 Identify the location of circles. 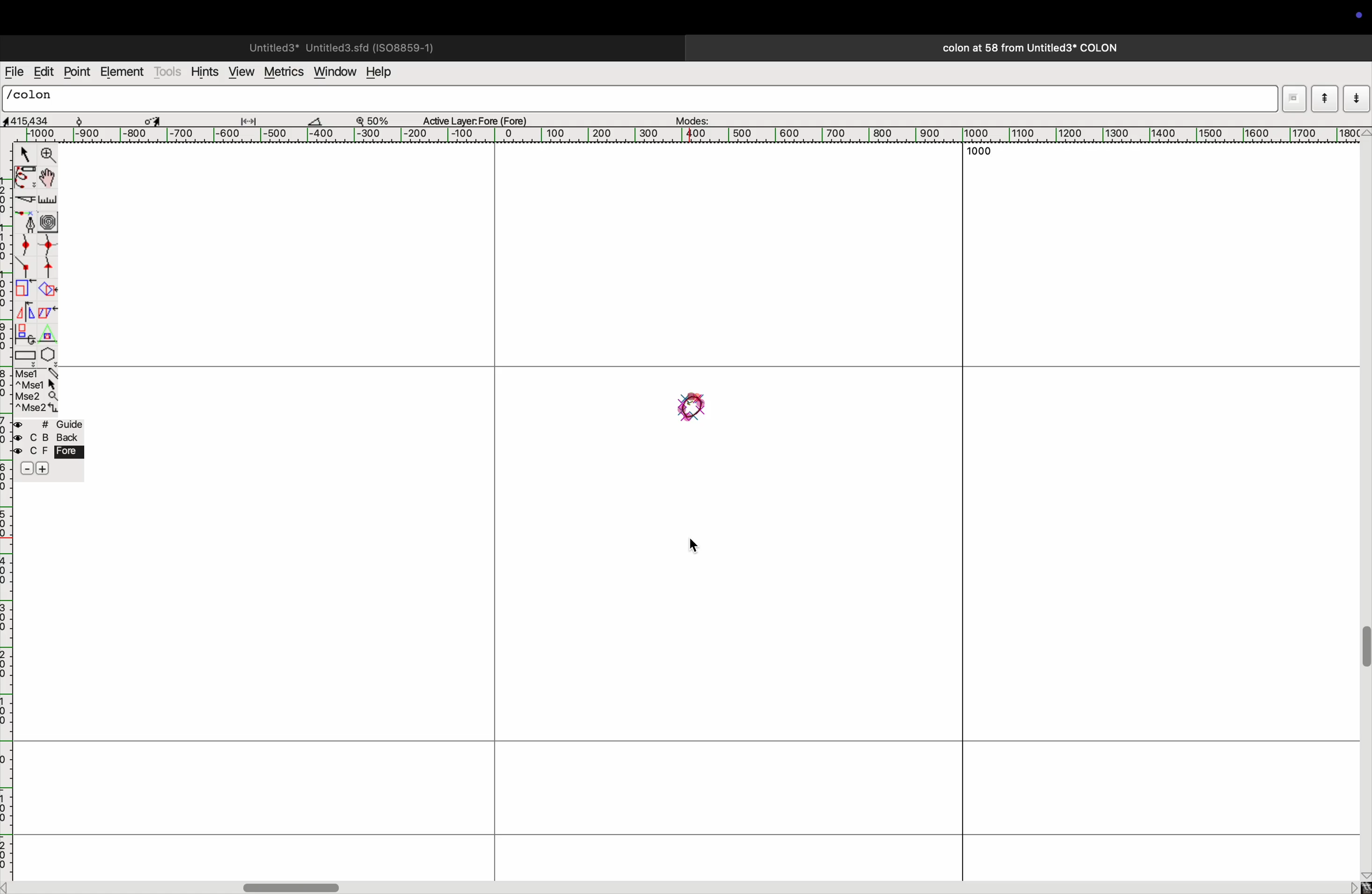
(51, 220).